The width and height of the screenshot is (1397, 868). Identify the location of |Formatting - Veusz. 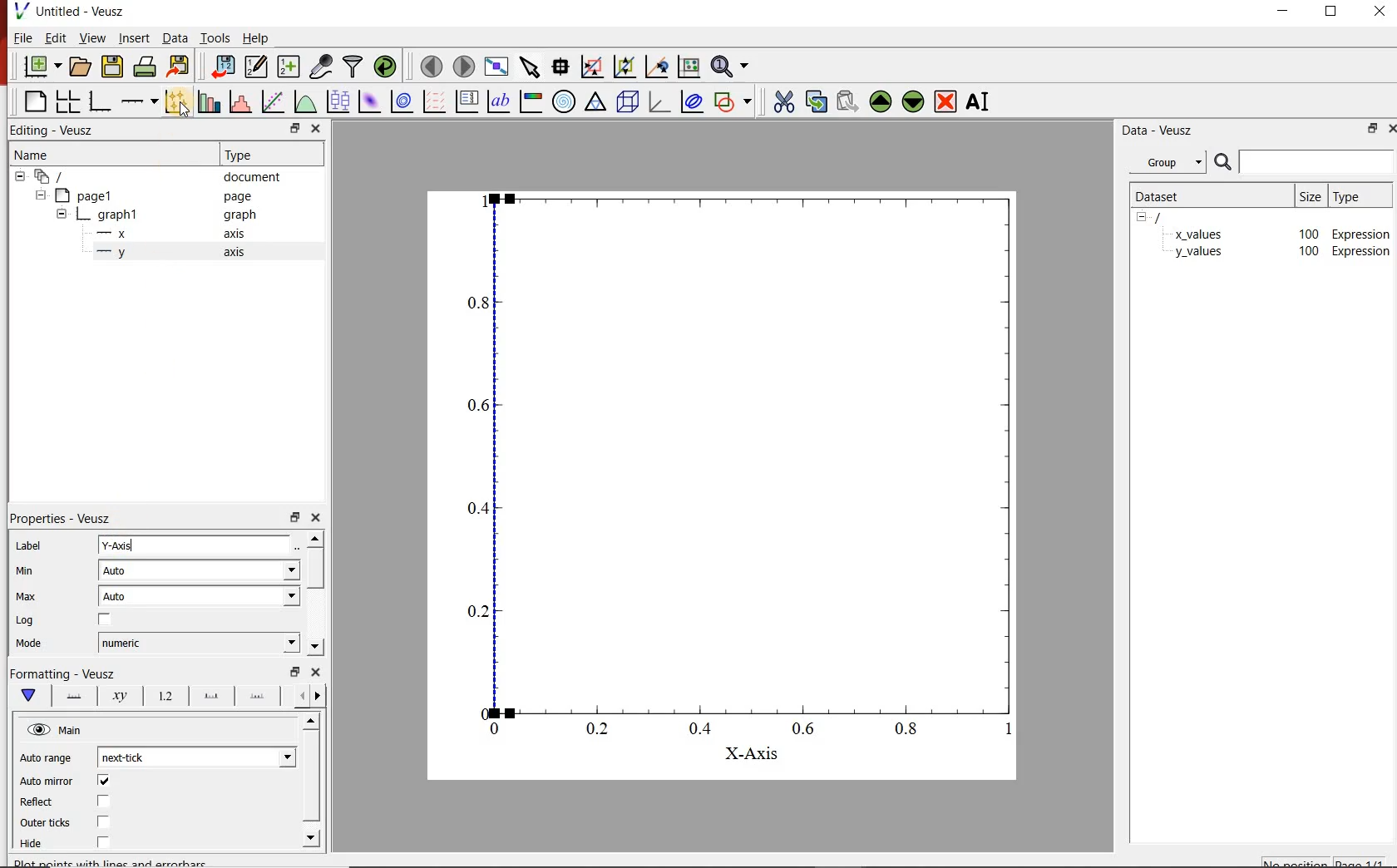
(71, 673).